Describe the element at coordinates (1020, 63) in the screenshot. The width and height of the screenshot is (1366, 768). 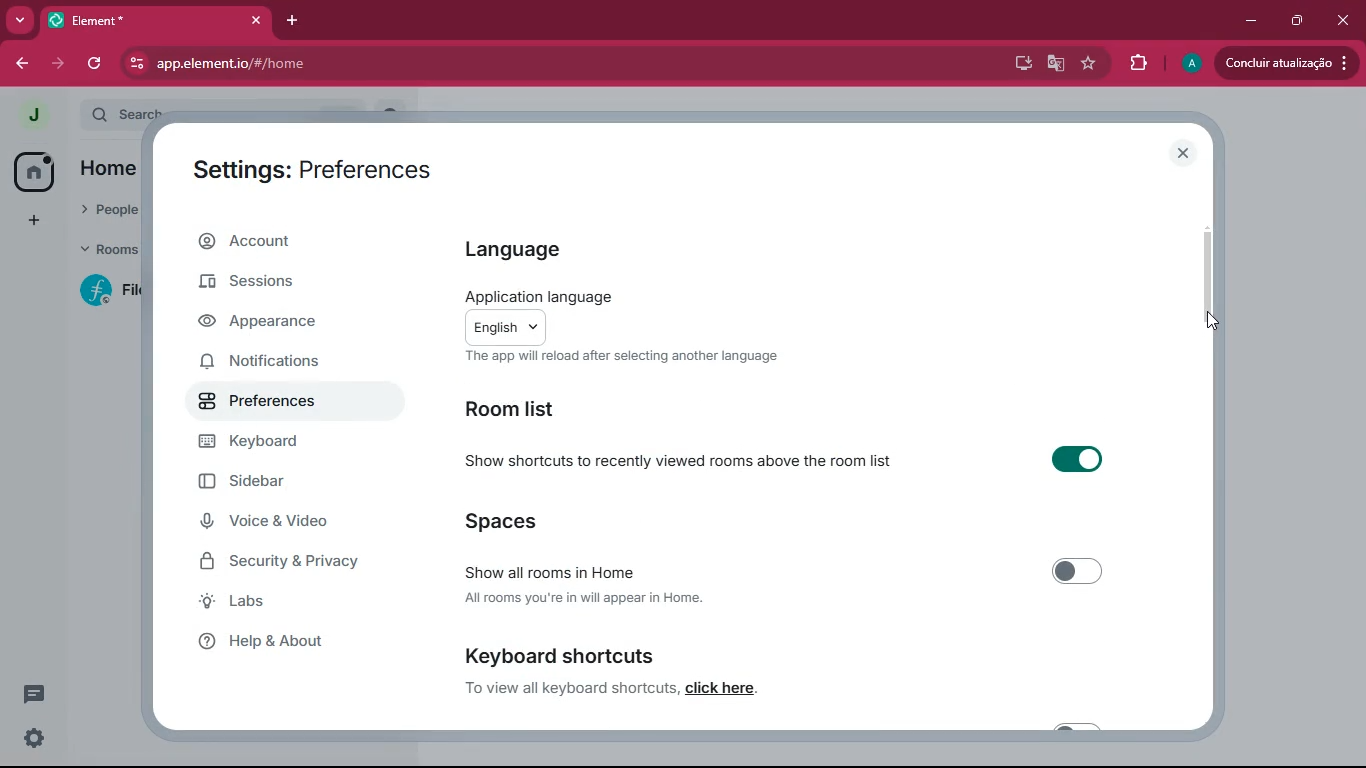
I see `desktop` at that location.